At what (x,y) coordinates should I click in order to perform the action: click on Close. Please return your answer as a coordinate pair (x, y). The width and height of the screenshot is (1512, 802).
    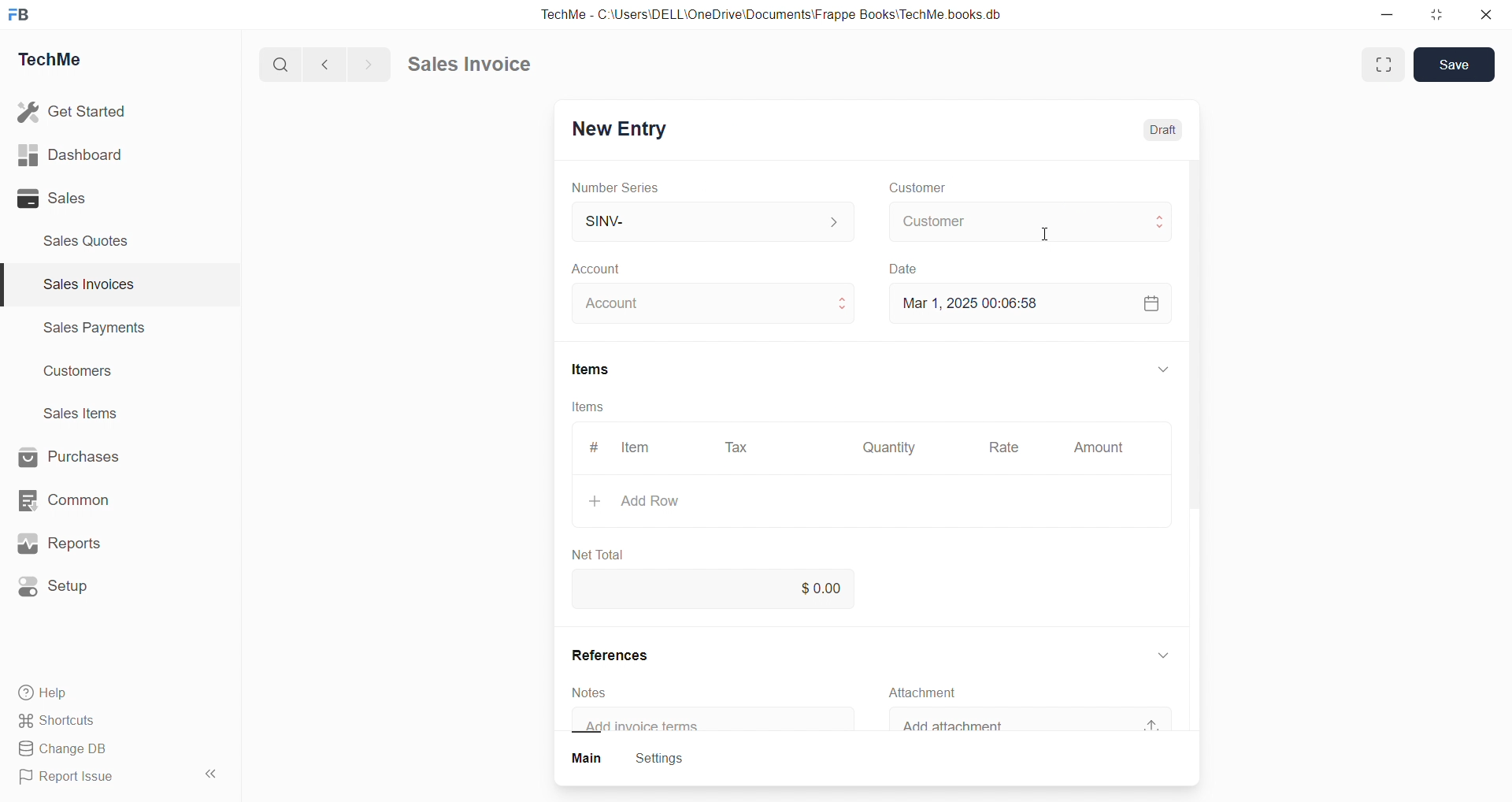
    Looking at the image, I should click on (1490, 18).